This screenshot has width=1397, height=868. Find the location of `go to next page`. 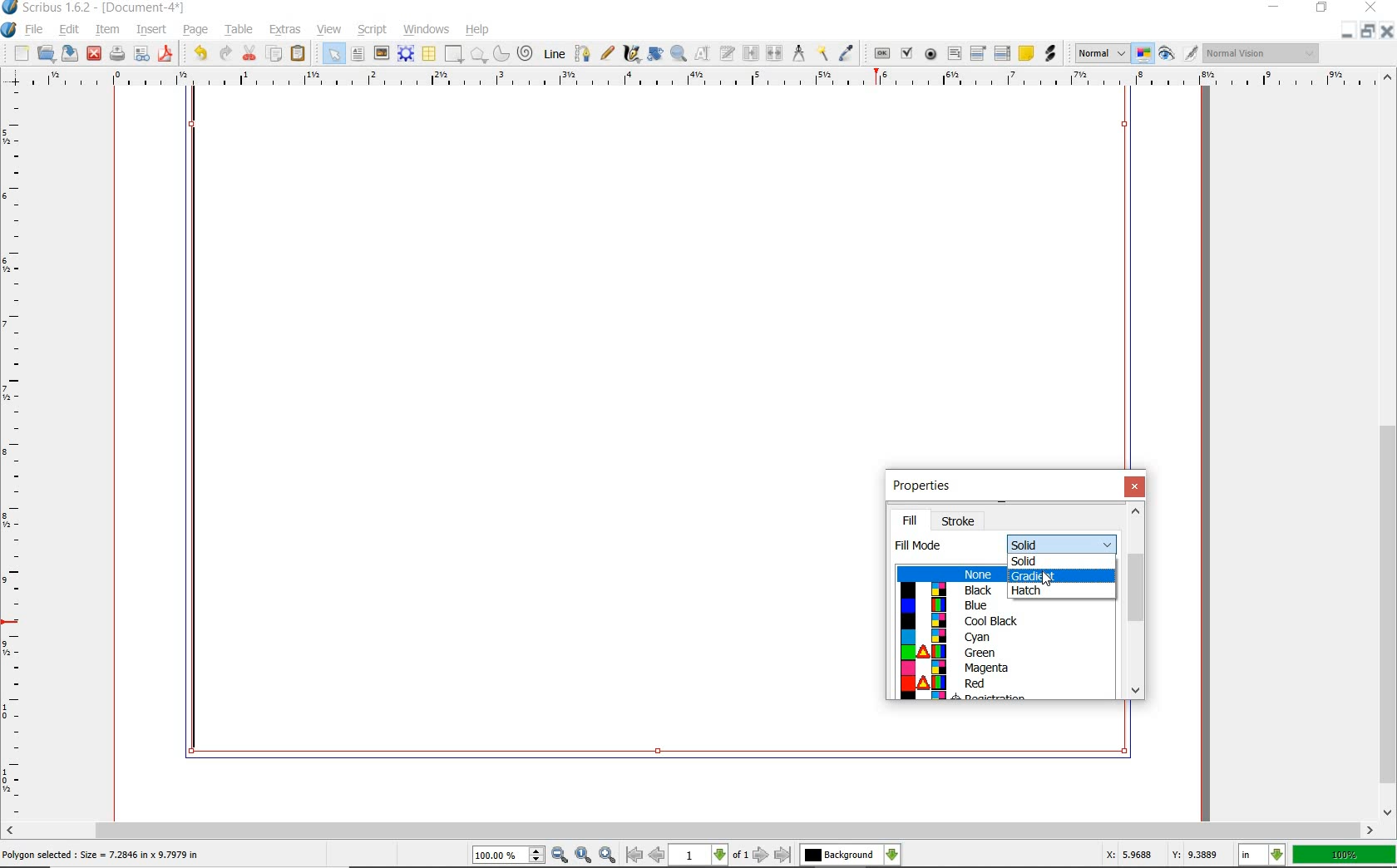

go to next page is located at coordinates (762, 855).